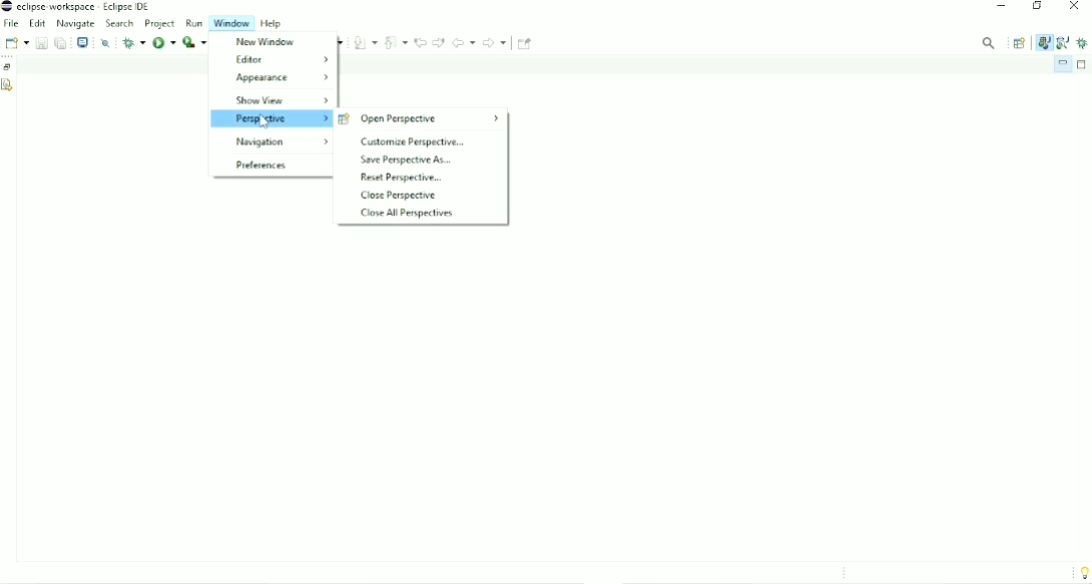 The width and height of the screenshot is (1092, 584). What do you see at coordinates (266, 122) in the screenshot?
I see `Cursor` at bounding box center [266, 122].